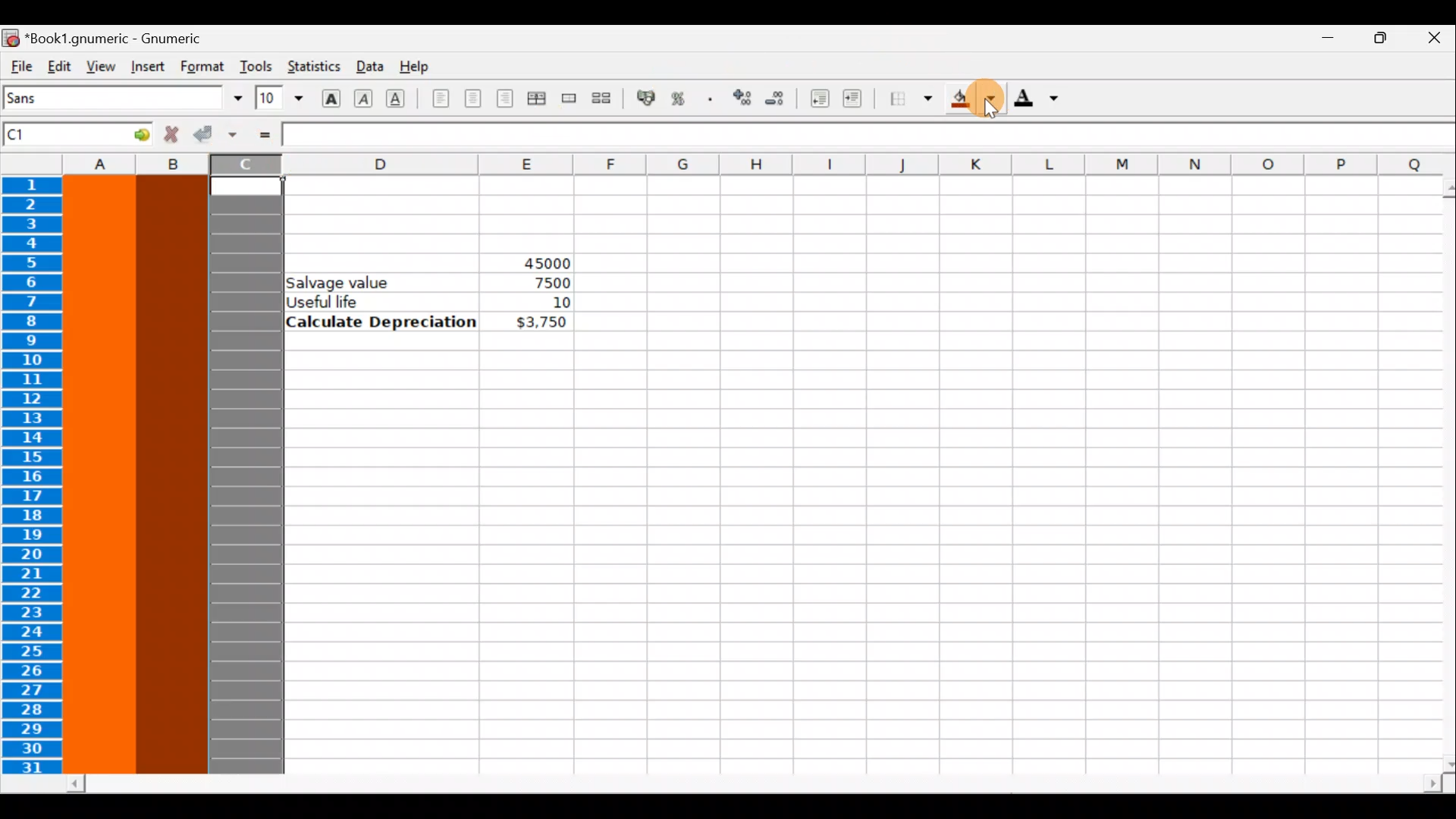 This screenshot has height=819, width=1456. Describe the element at coordinates (264, 134) in the screenshot. I see `Enter formula` at that location.